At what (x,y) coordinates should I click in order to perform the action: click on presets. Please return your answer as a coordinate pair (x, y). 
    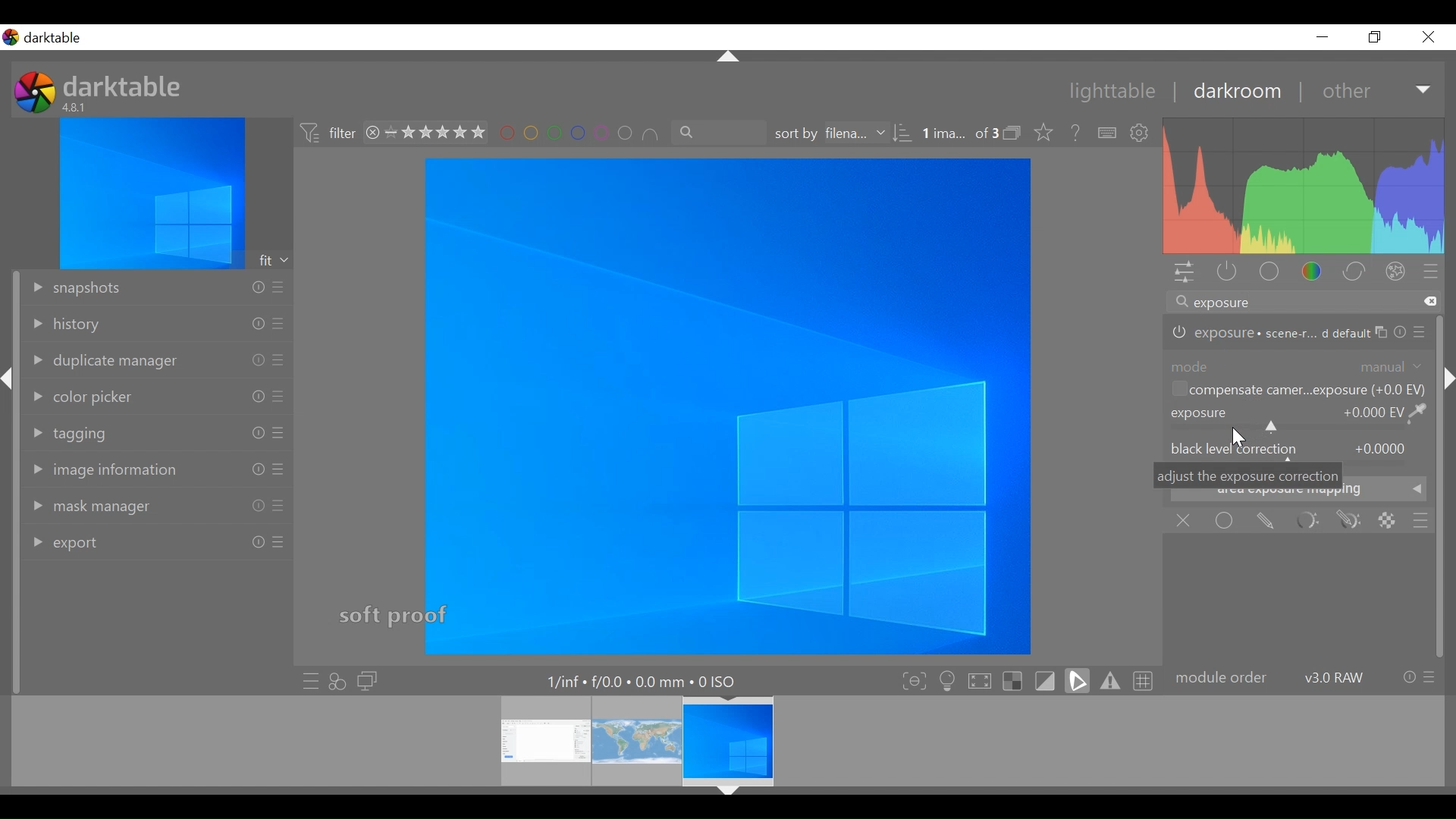
    Looking at the image, I should click on (1432, 273).